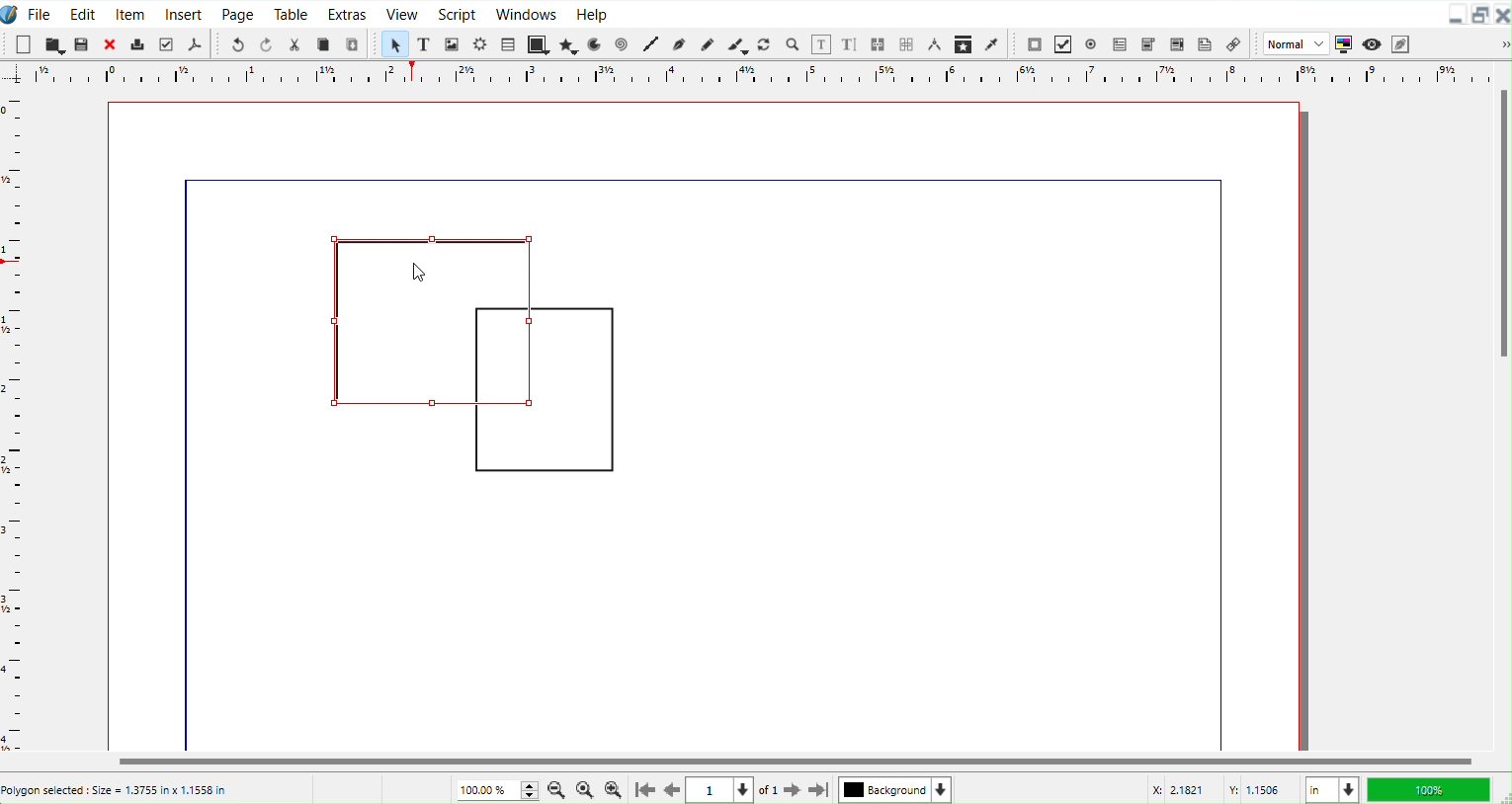 The height and width of the screenshot is (804, 1512). I want to click on PDF Combo Box, so click(1148, 43).